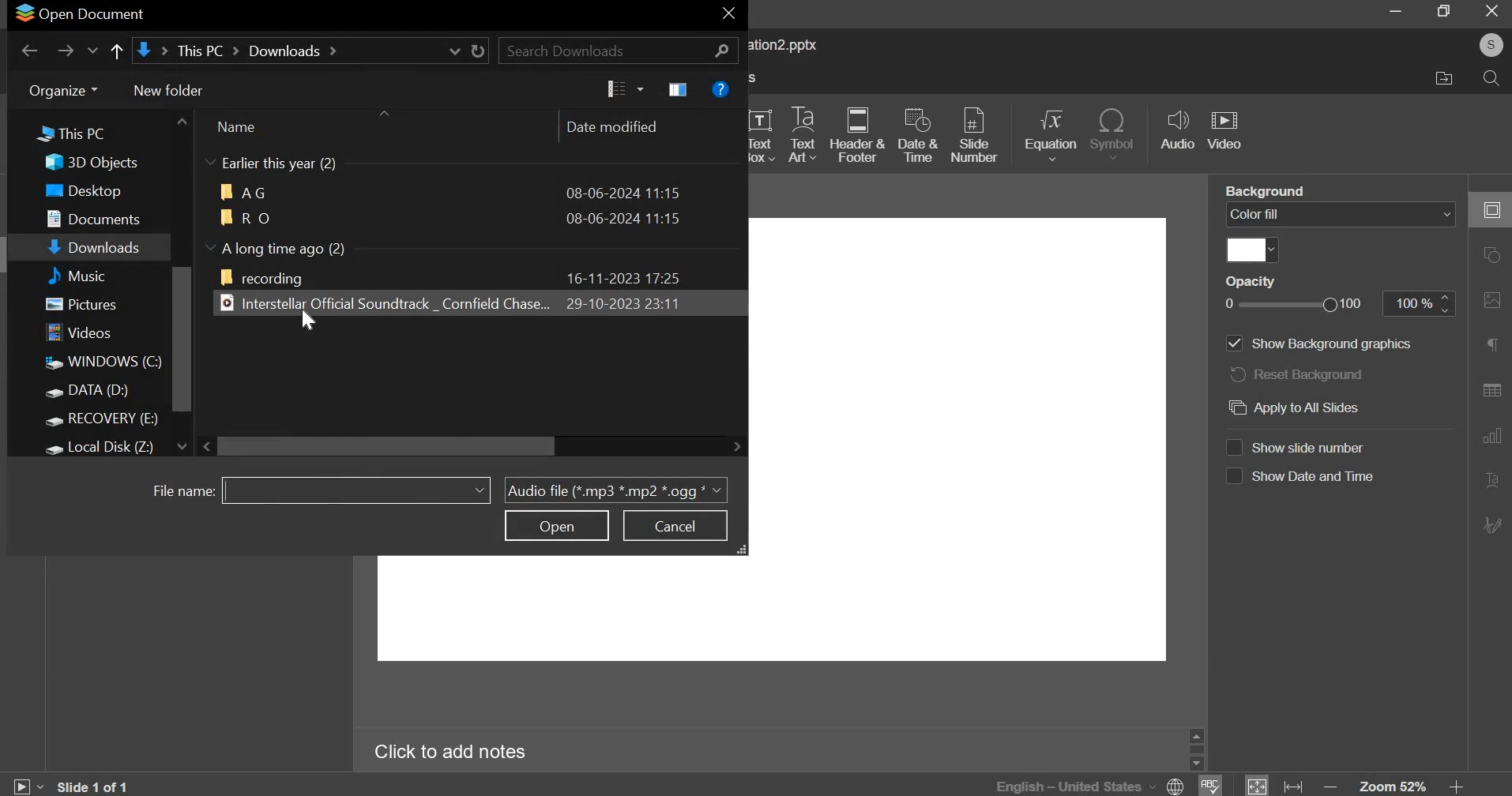  I want to click on forward, so click(65, 48).